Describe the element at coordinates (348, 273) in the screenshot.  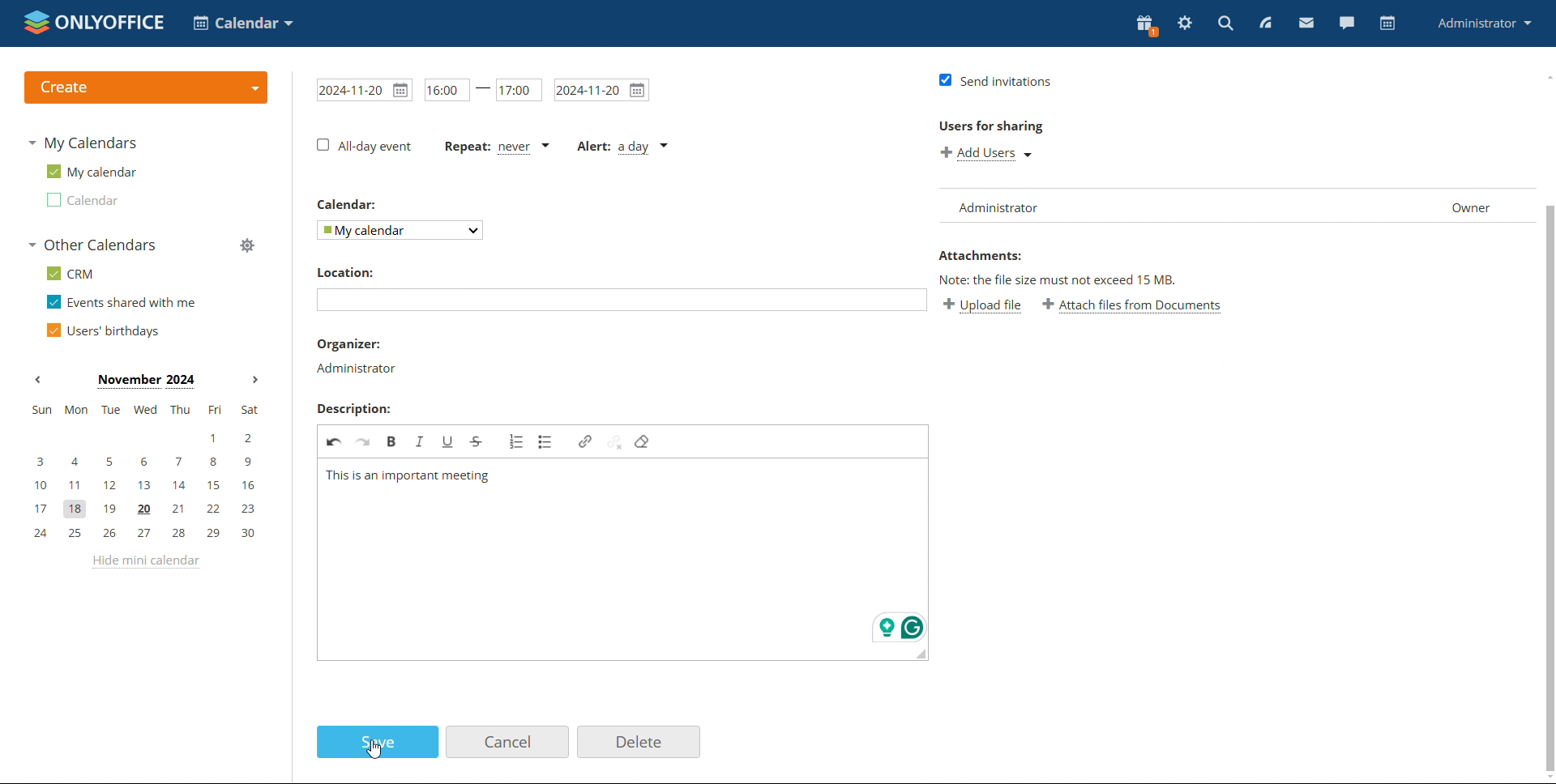
I see `location` at that location.